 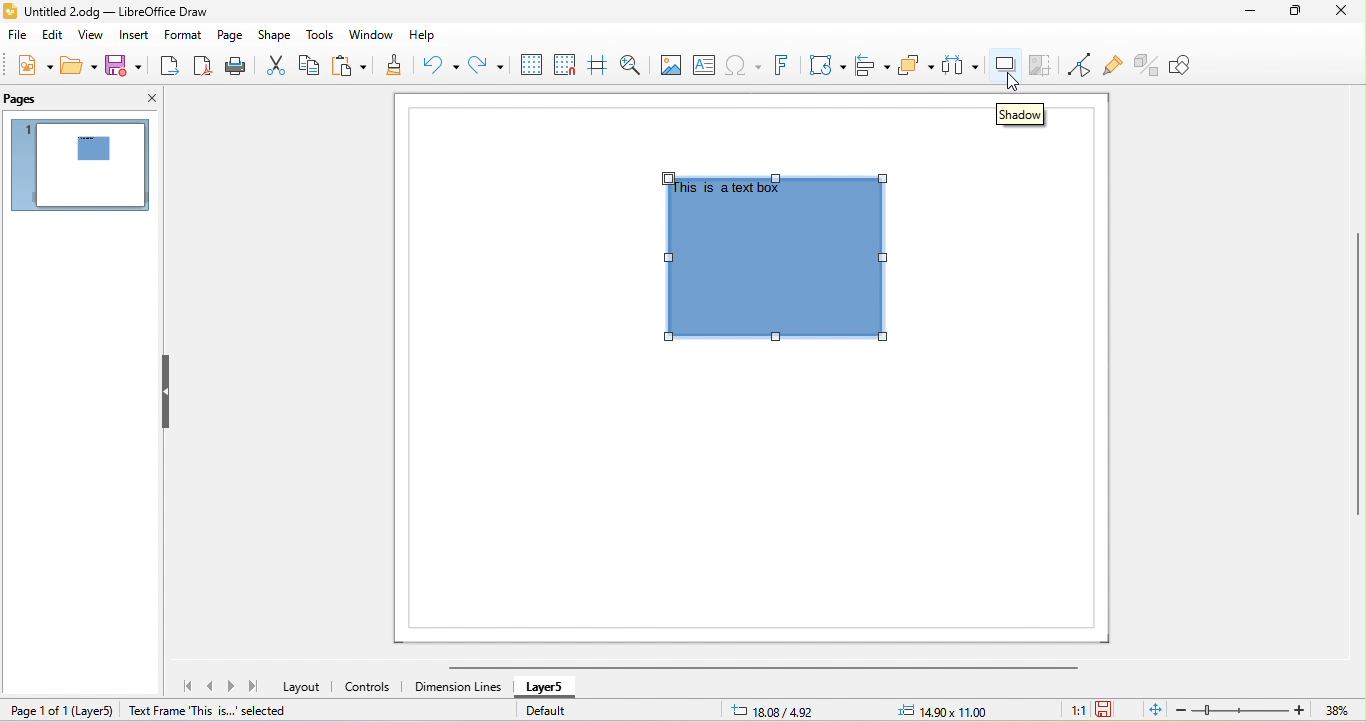 What do you see at coordinates (133, 36) in the screenshot?
I see `insert` at bounding box center [133, 36].